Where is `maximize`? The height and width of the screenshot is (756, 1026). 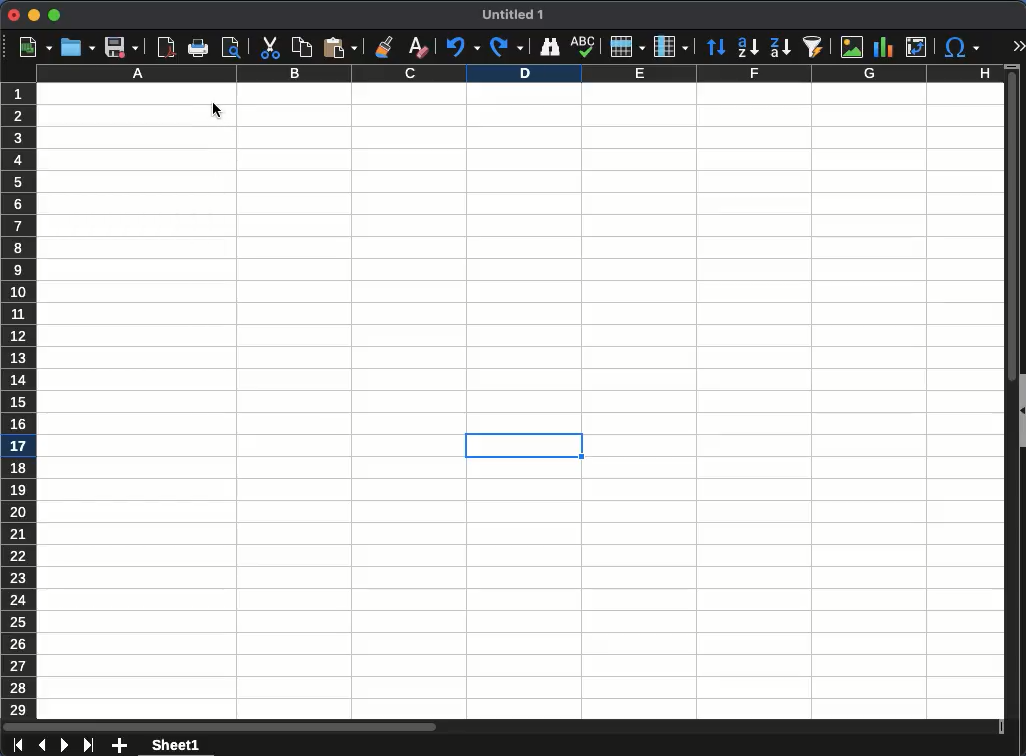
maximize is located at coordinates (55, 17).